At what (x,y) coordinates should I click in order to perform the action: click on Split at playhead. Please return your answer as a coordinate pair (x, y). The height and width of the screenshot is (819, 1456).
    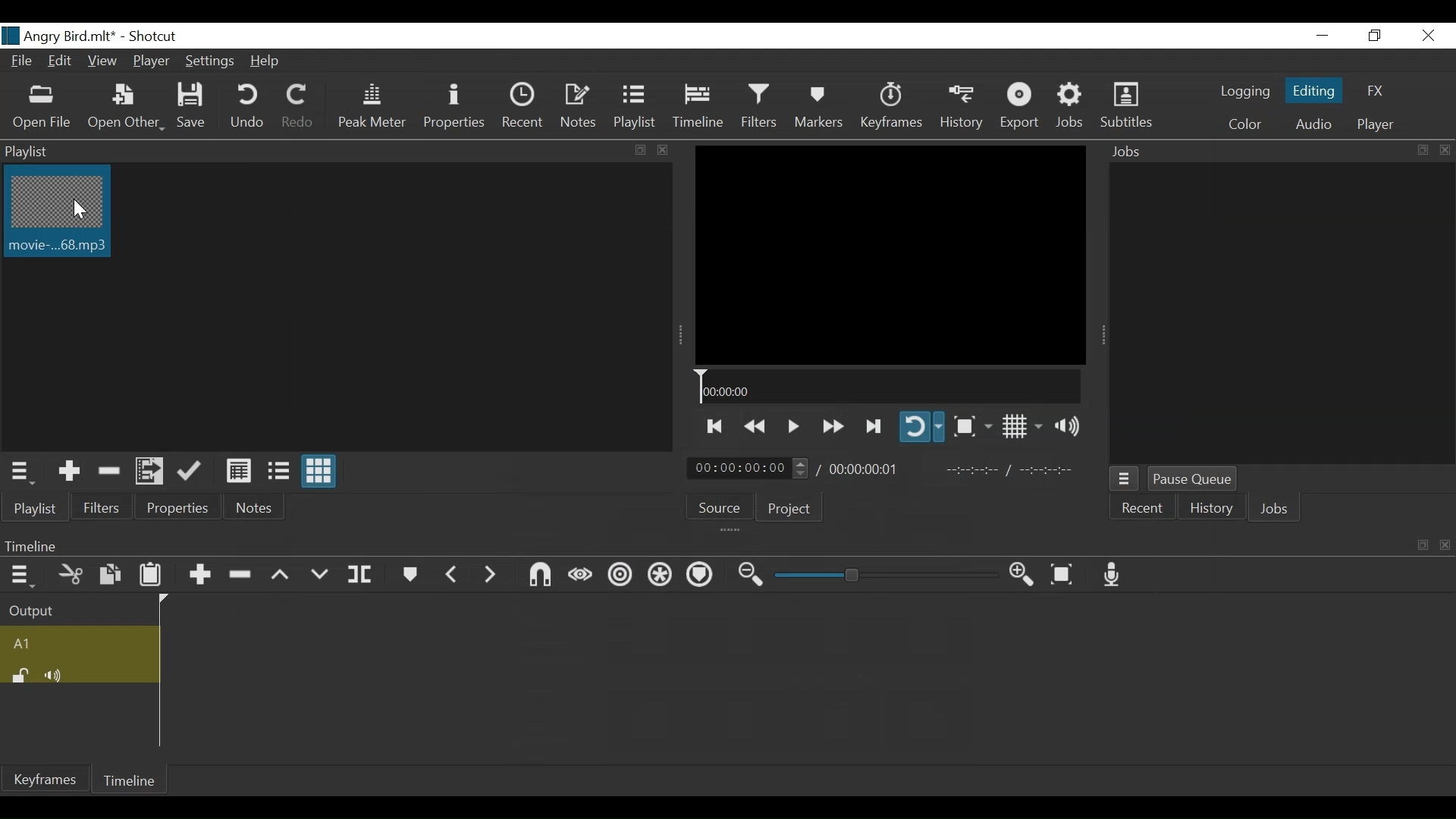
    Looking at the image, I should click on (361, 573).